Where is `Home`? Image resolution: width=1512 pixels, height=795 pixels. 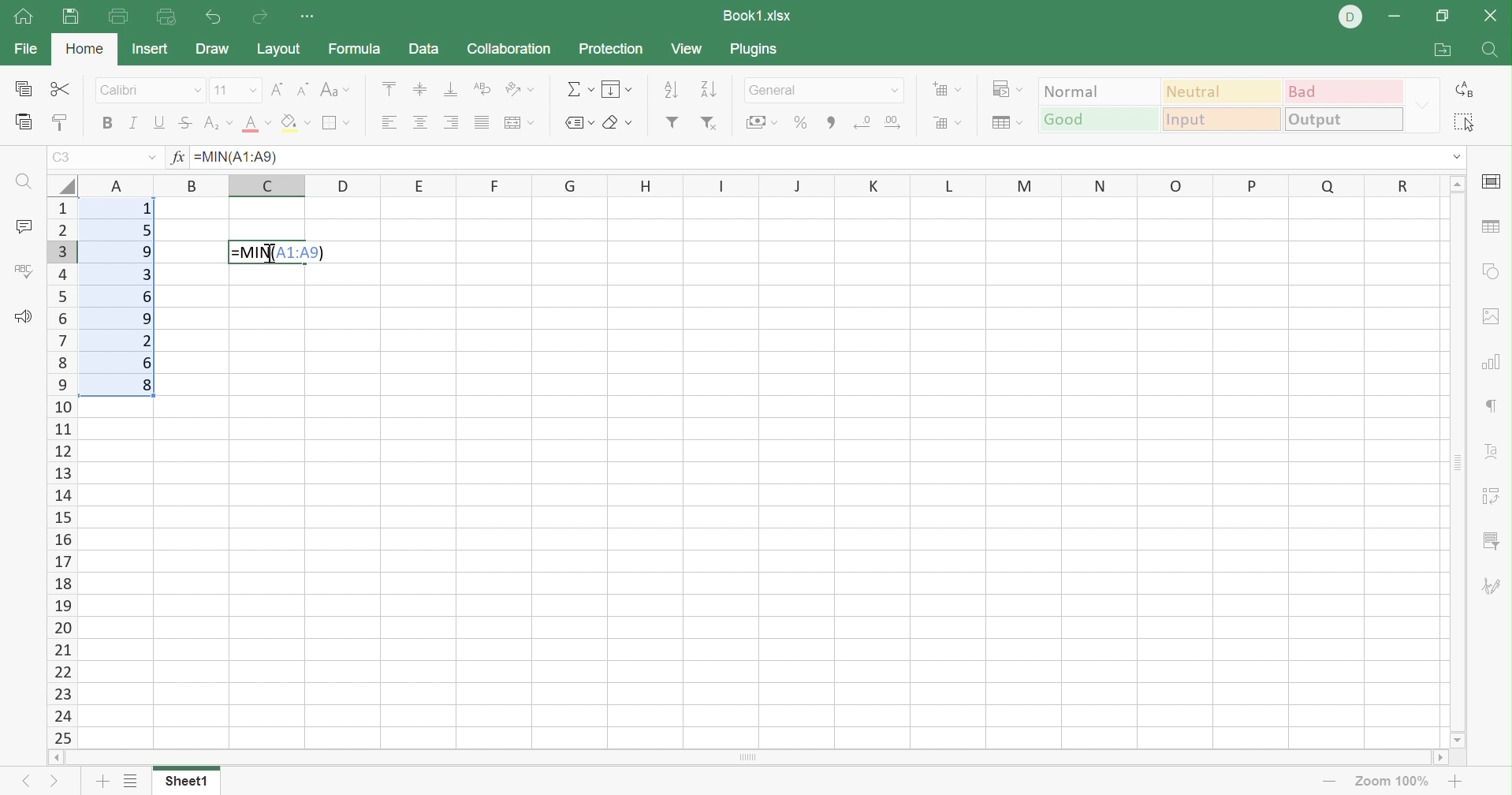
Home is located at coordinates (86, 50).